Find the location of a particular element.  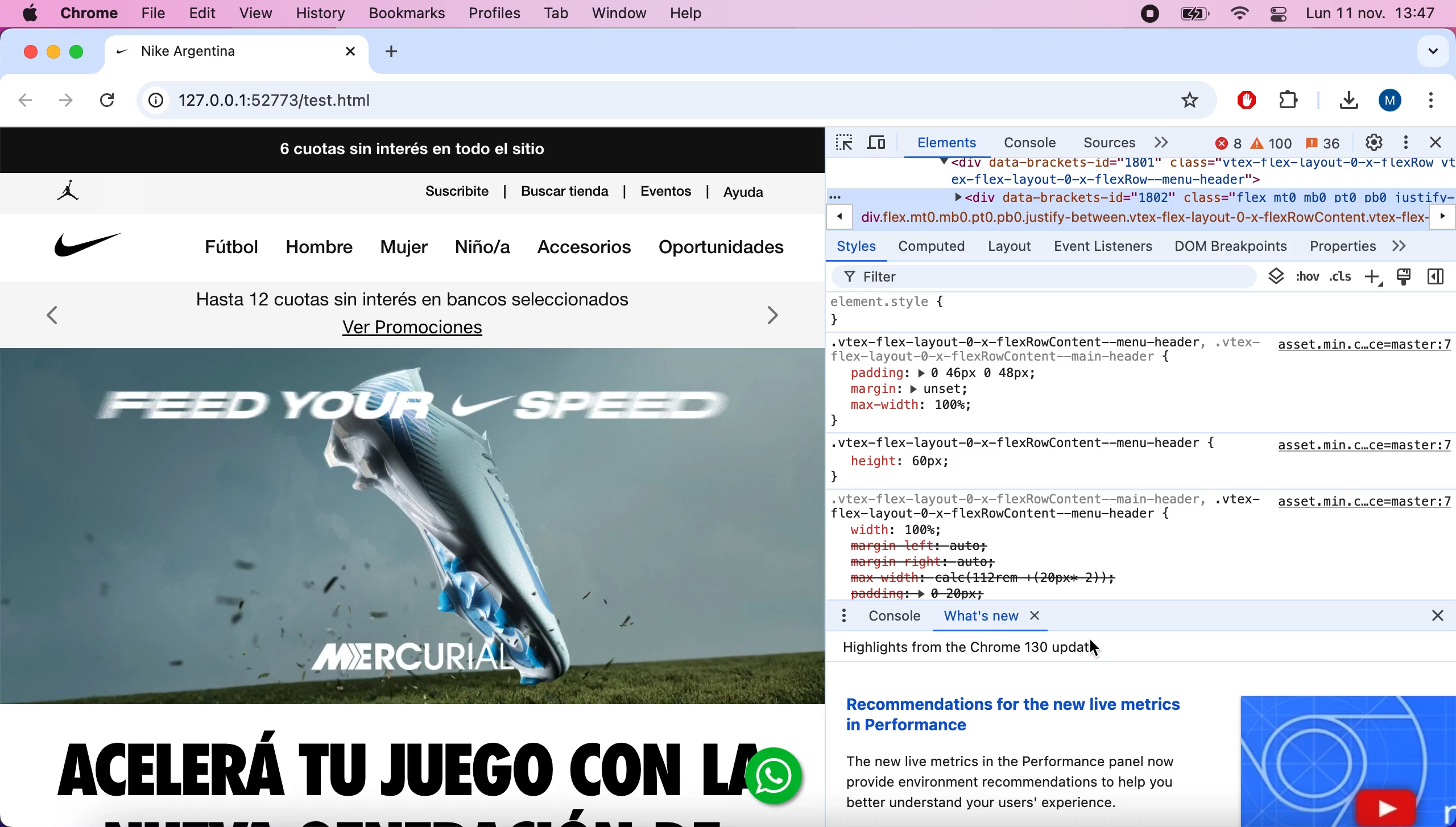

information is located at coordinates (156, 101).